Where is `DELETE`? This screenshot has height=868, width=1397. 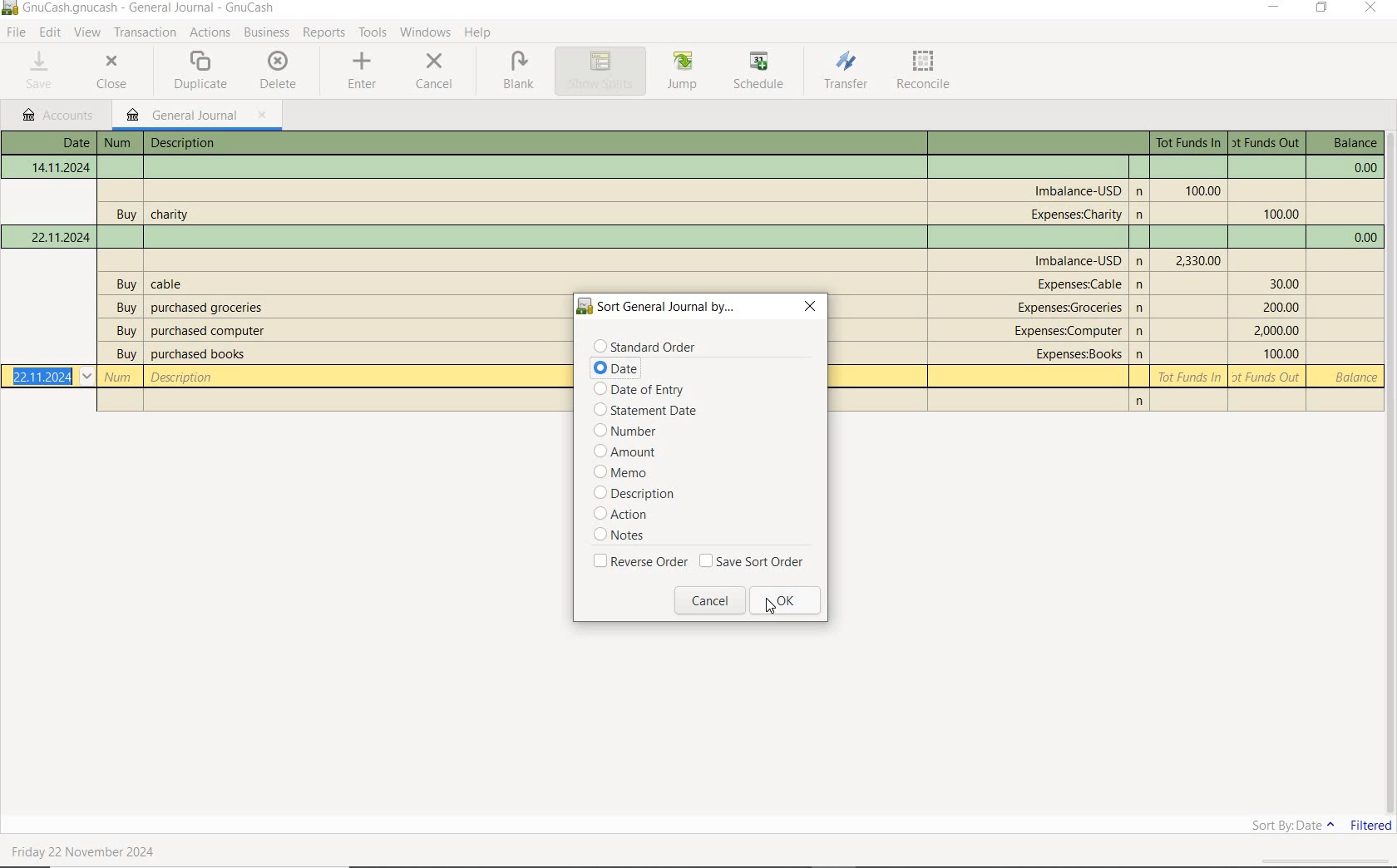 DELETE is located at coordinates (277, 70).